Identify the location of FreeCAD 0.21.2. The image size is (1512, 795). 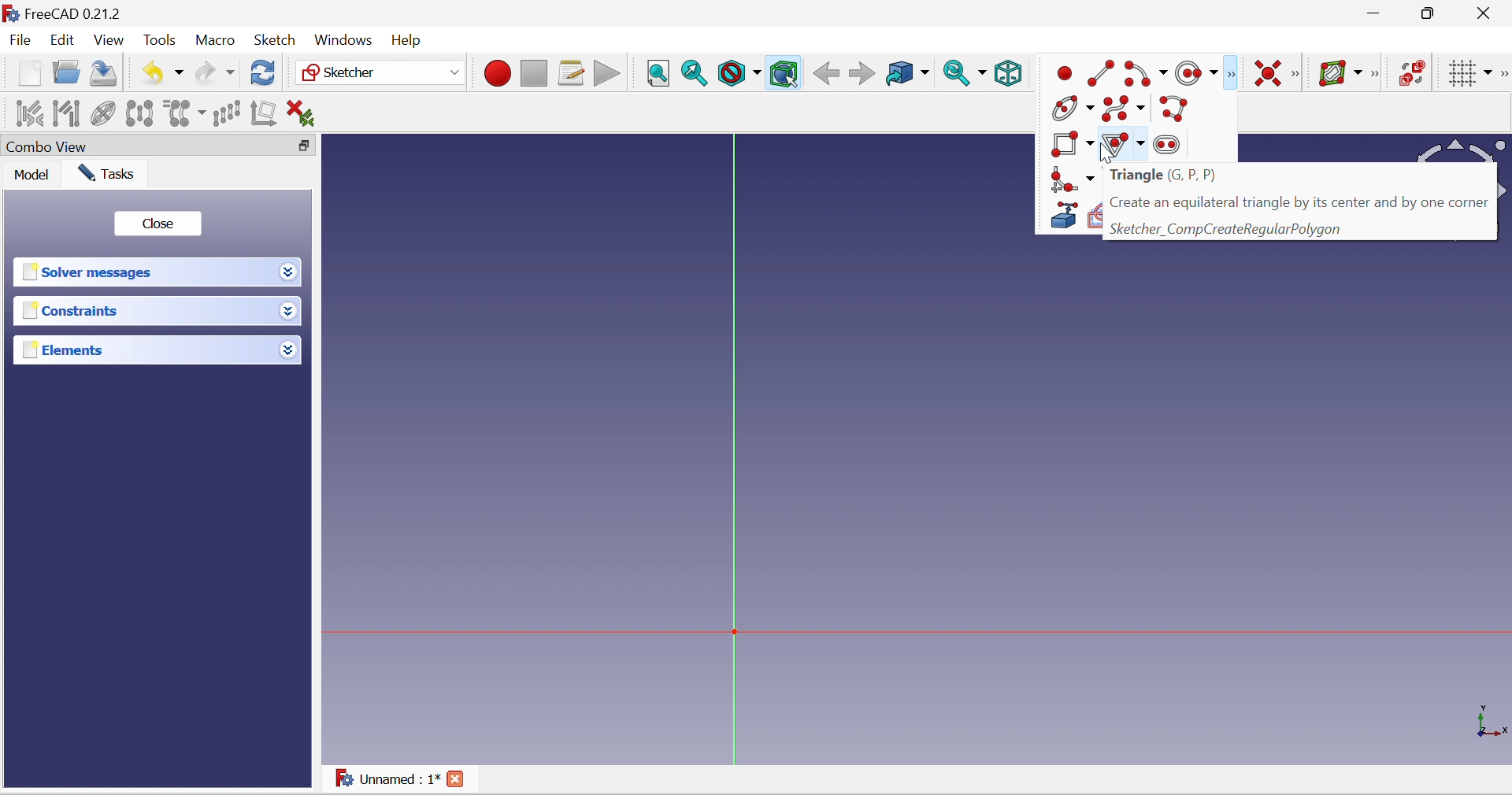
(63, 13).